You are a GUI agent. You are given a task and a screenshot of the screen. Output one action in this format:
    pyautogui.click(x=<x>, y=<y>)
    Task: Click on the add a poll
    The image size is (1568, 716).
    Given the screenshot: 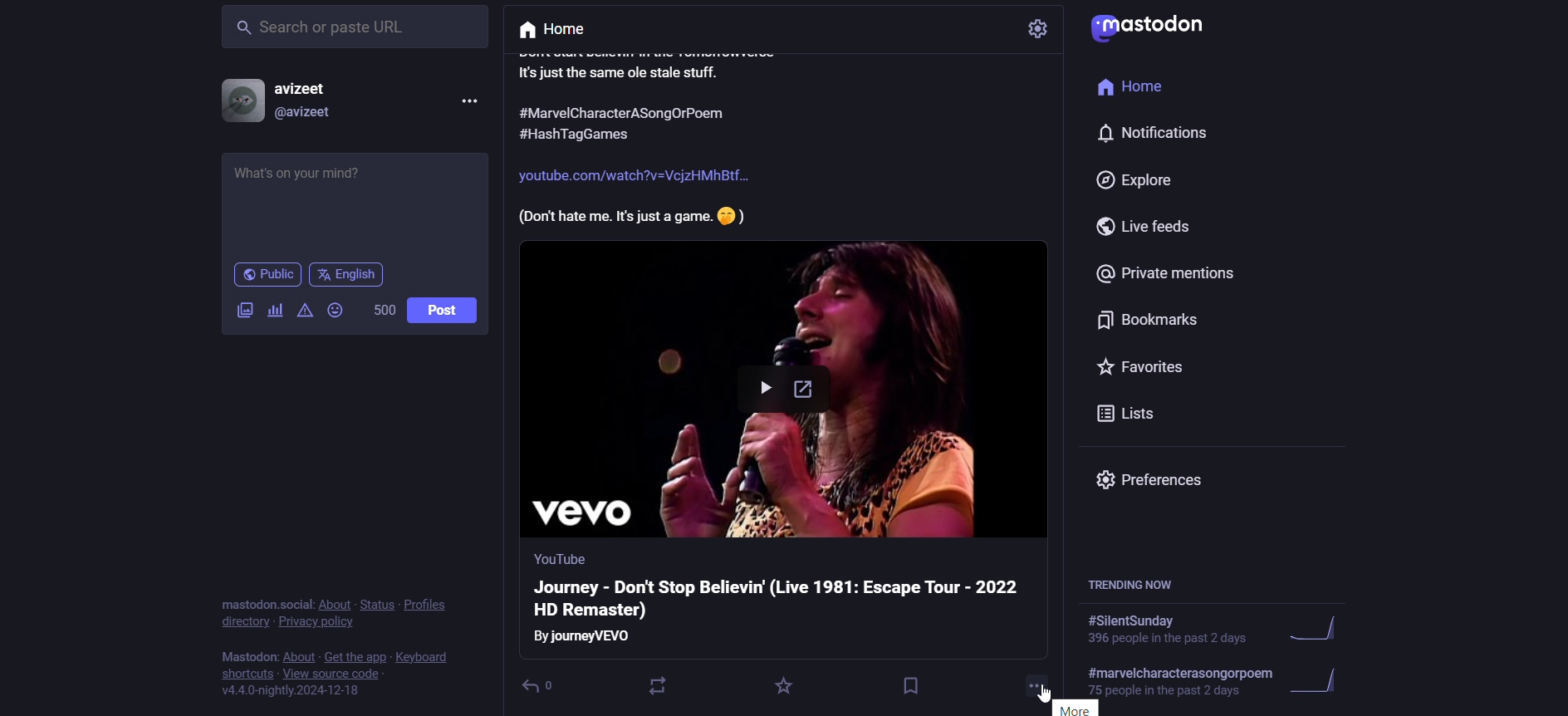 What is the action you would take?
    pyautogui.click(x=276, y=311)
    